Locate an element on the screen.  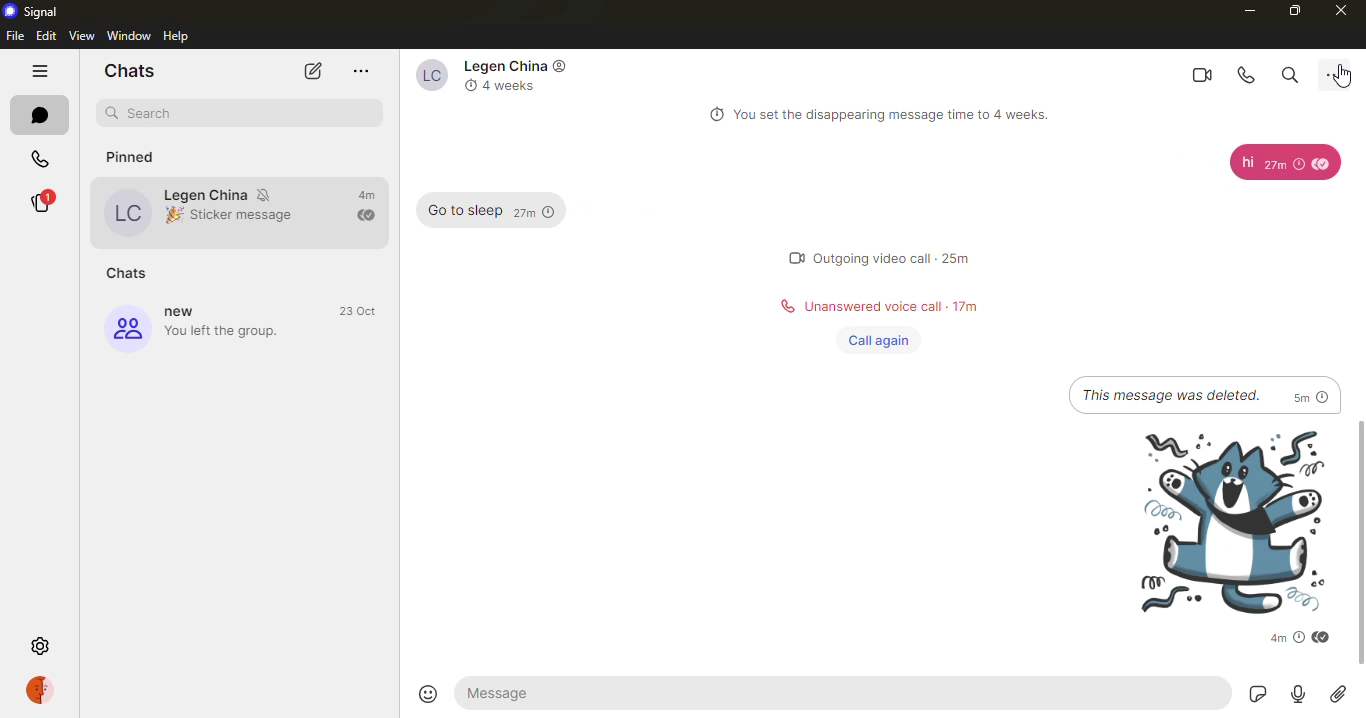
message is located at coordinates (1242, 163).